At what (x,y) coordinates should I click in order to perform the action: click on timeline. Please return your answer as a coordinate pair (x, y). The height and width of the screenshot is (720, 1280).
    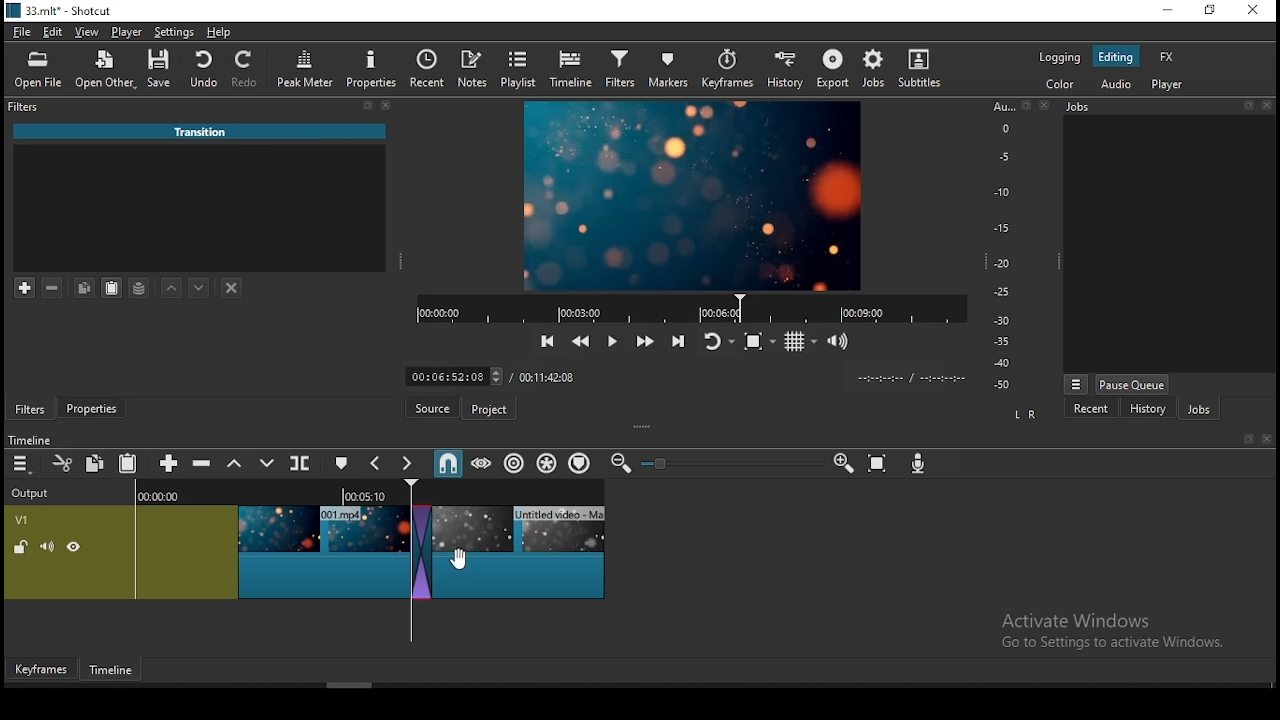
    Looking at the image, I should click on (34, 437).